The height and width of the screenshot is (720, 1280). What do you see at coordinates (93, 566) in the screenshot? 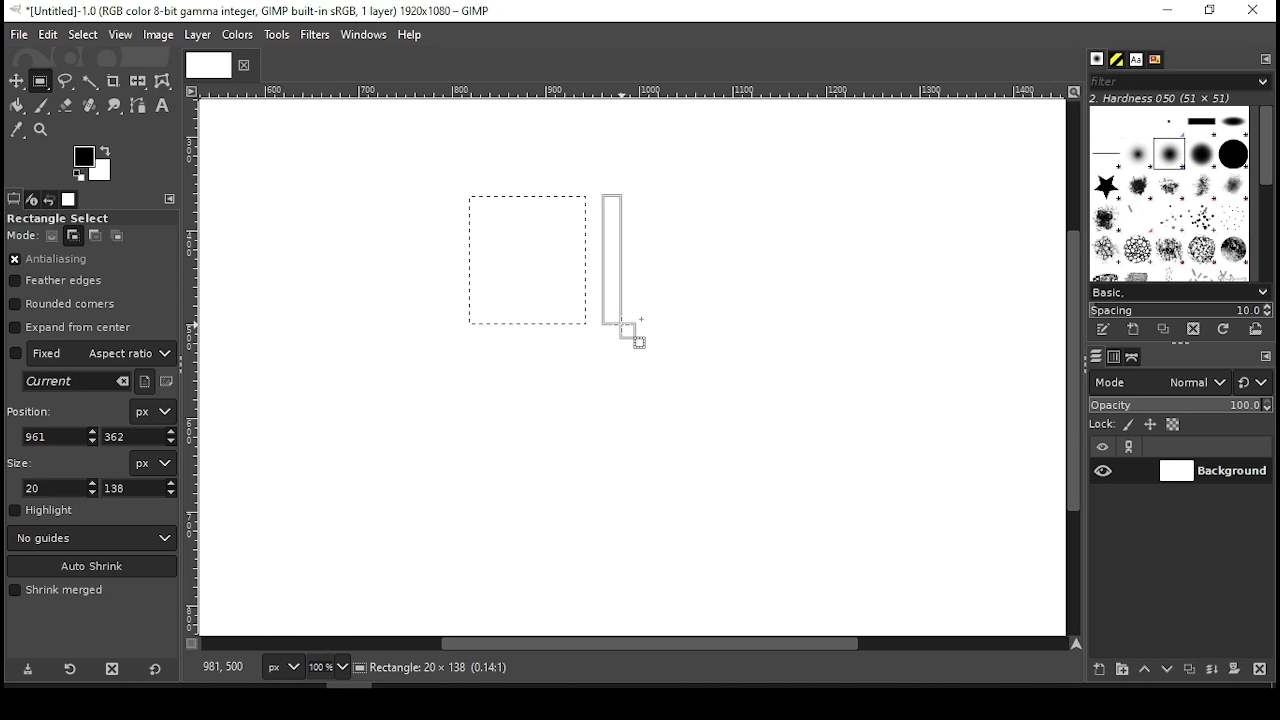
I see `auto shrink` at bounding box center [93, 566].